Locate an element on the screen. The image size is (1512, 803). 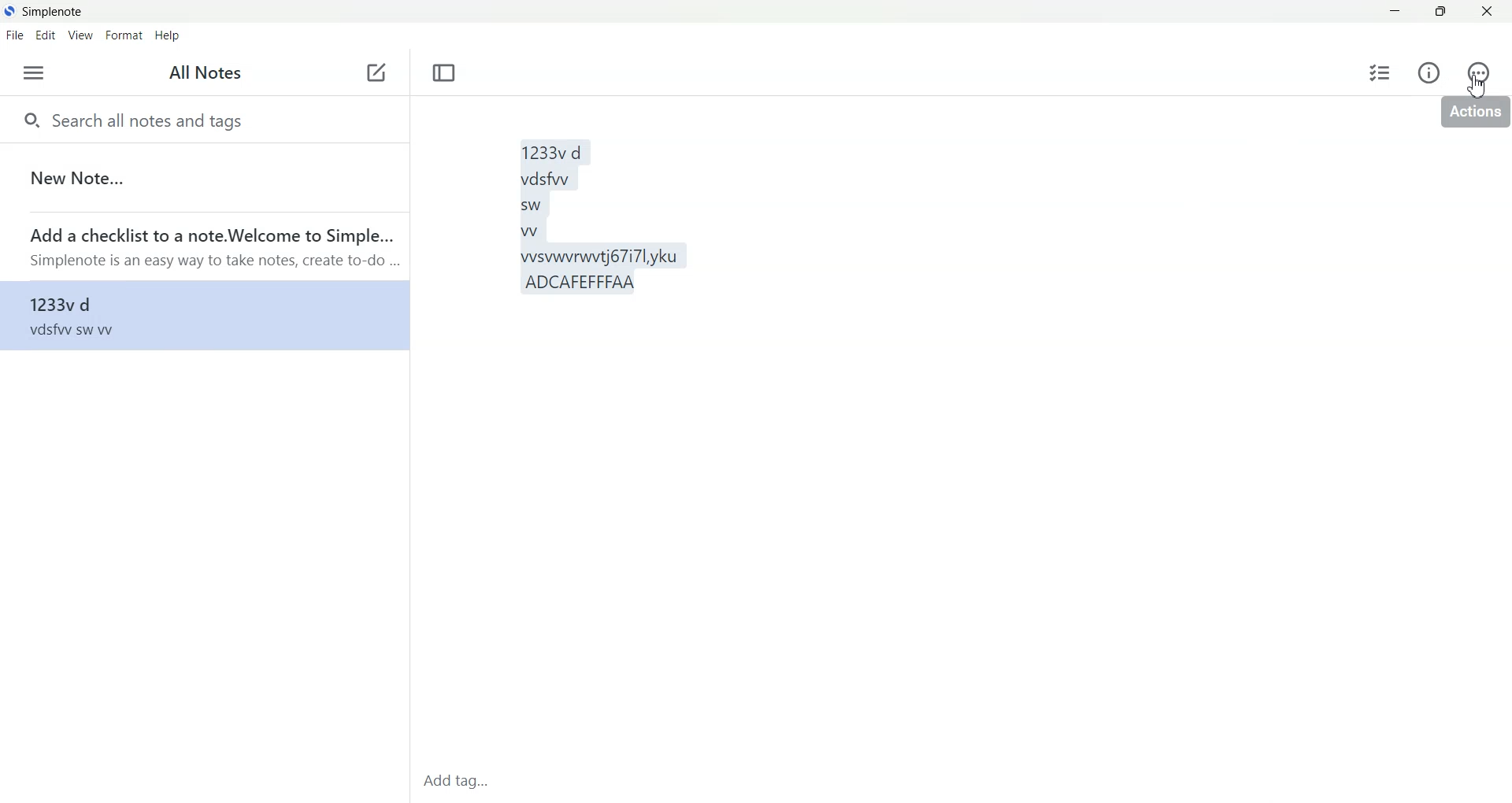
Minimize is located at coordinates (1395, 12).